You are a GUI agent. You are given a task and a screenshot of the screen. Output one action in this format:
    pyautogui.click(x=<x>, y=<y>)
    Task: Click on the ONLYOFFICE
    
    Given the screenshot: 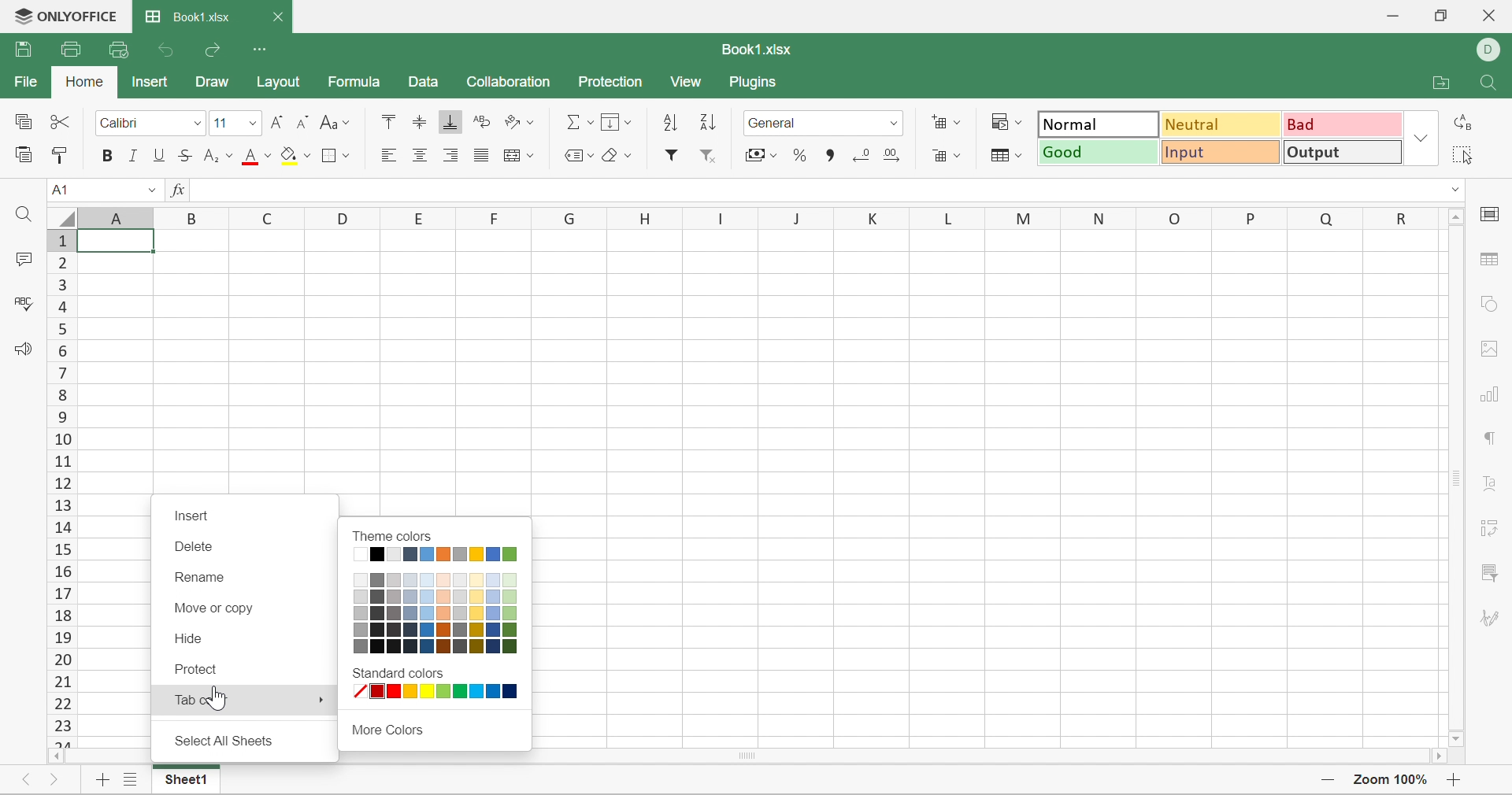 What is the action you would take?
    pyautogui.click(x=65, y=14)
    